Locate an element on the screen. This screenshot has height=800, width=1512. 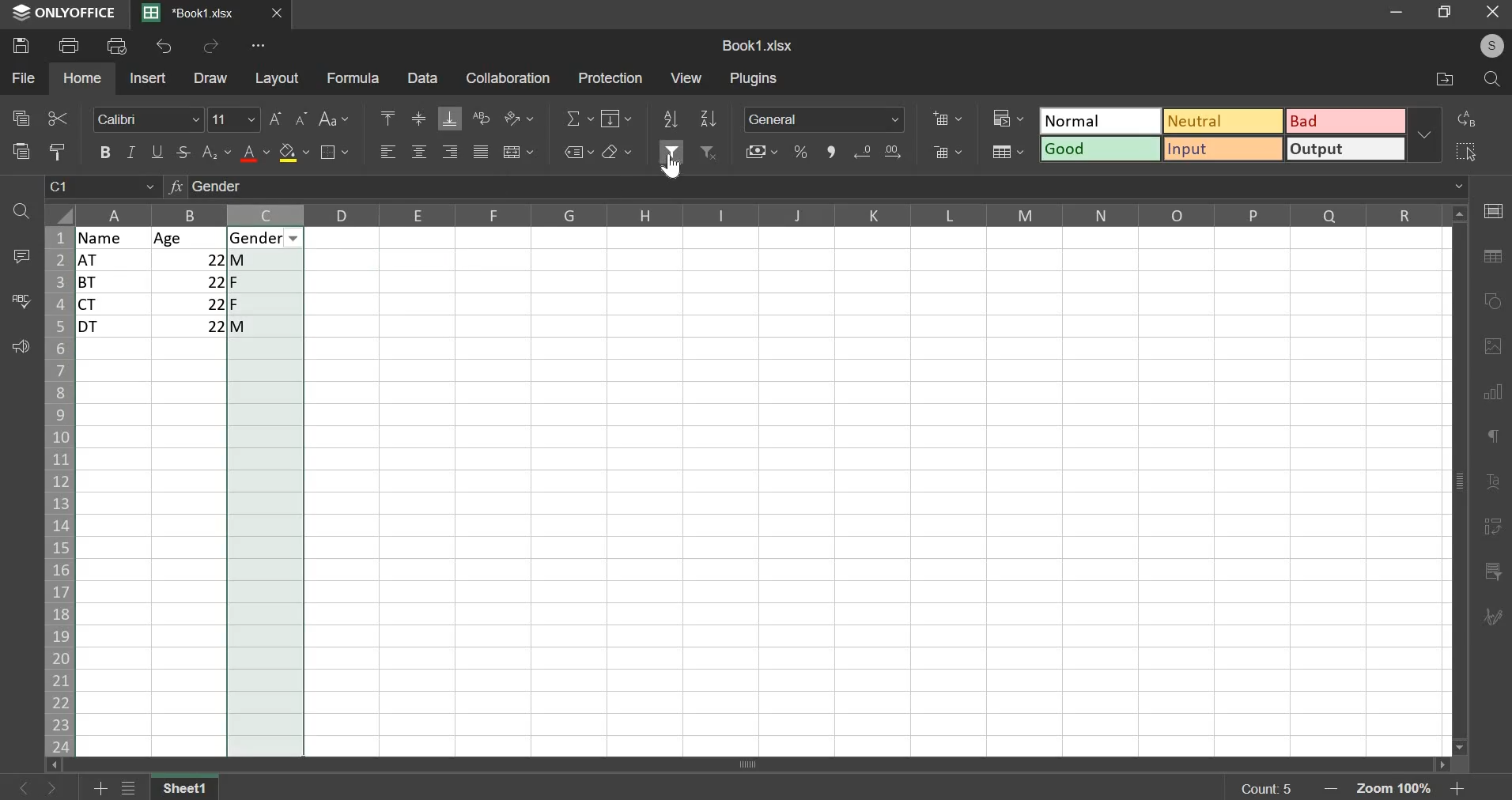
restore is located at coordinates (1448, 13).